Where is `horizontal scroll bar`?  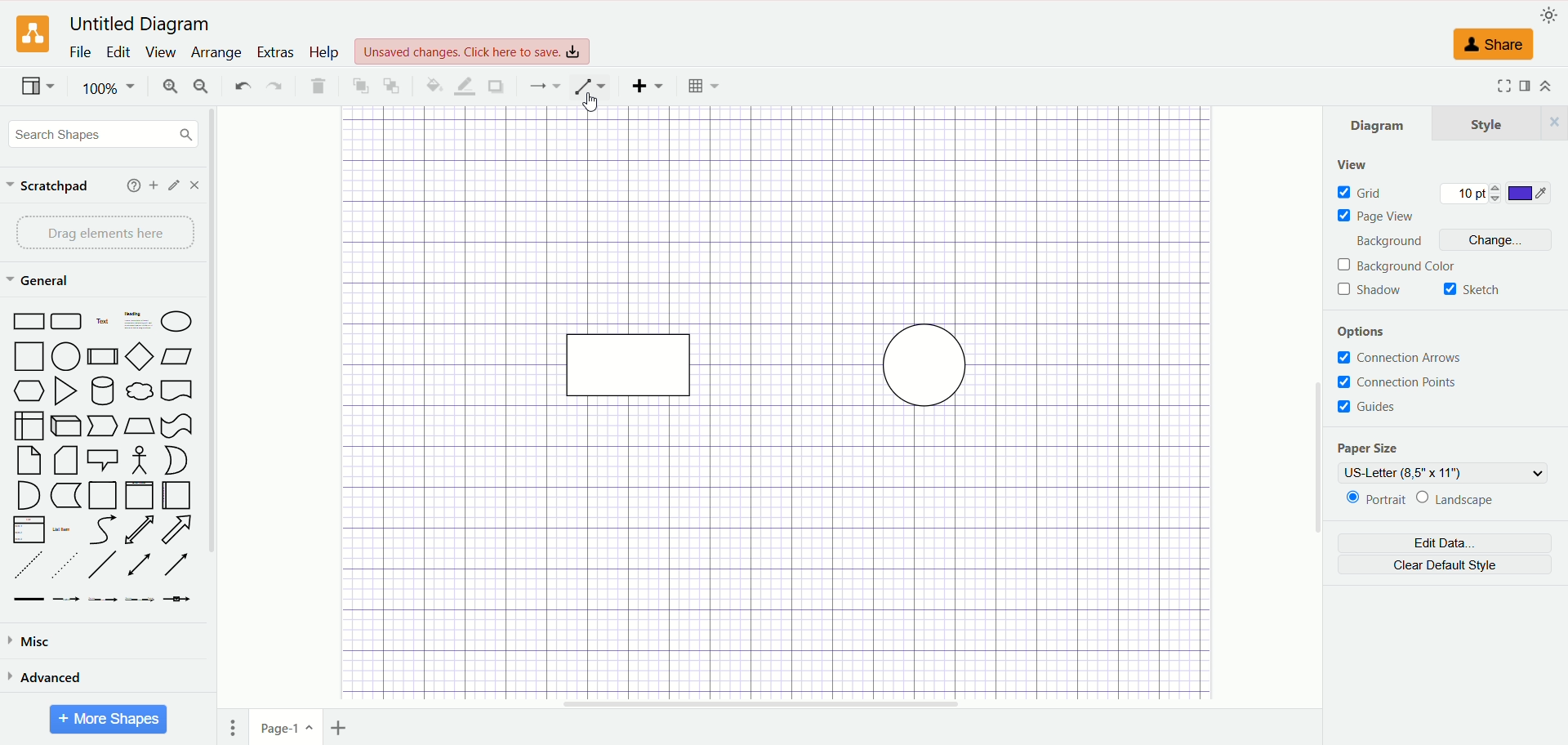 horizontal scroll bar is located at coordinates (778, 700).